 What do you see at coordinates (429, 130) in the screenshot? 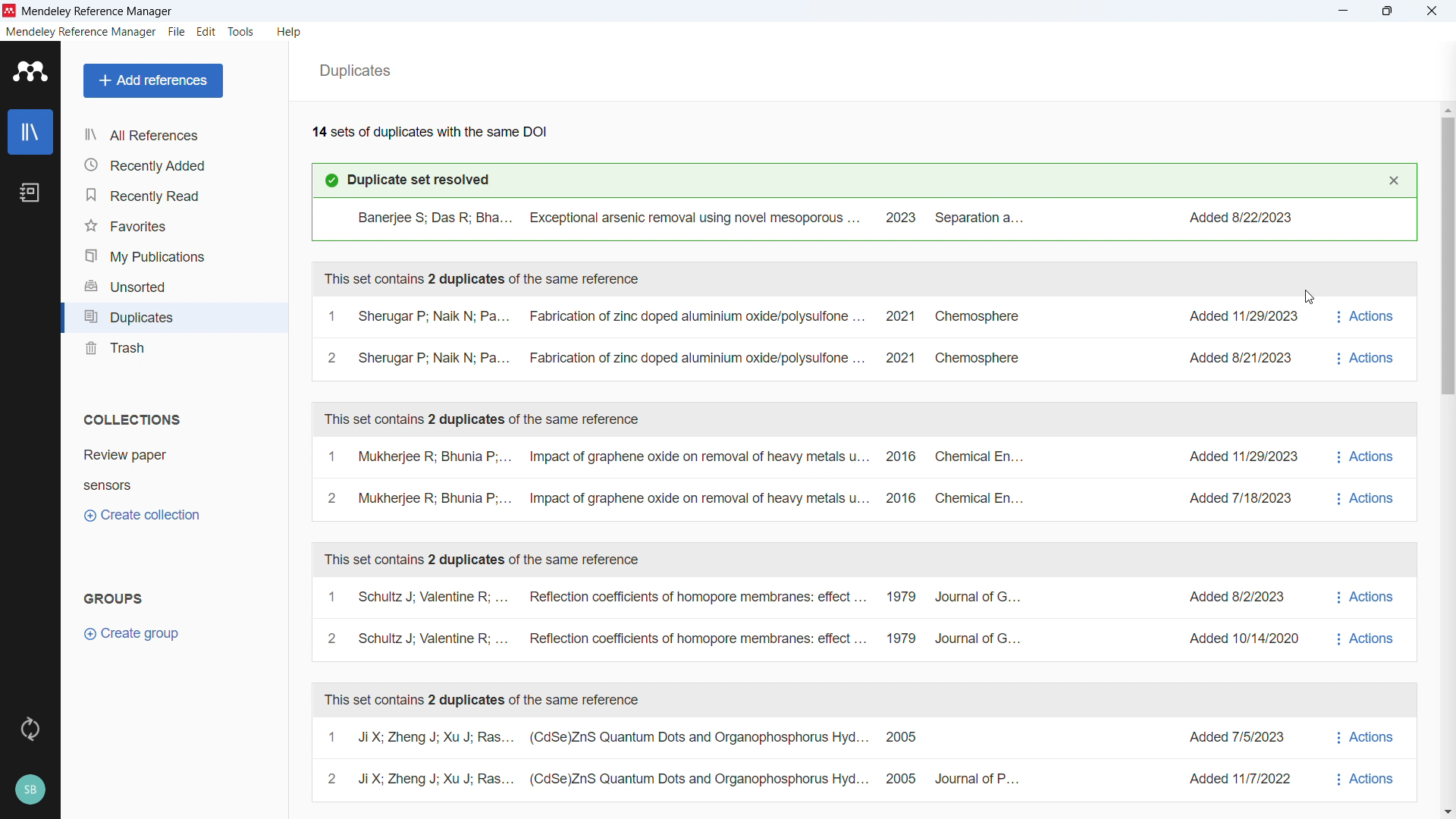
I see `Fifteen sets of duplicates with the same DOI ` at bounding box center [429, 130].